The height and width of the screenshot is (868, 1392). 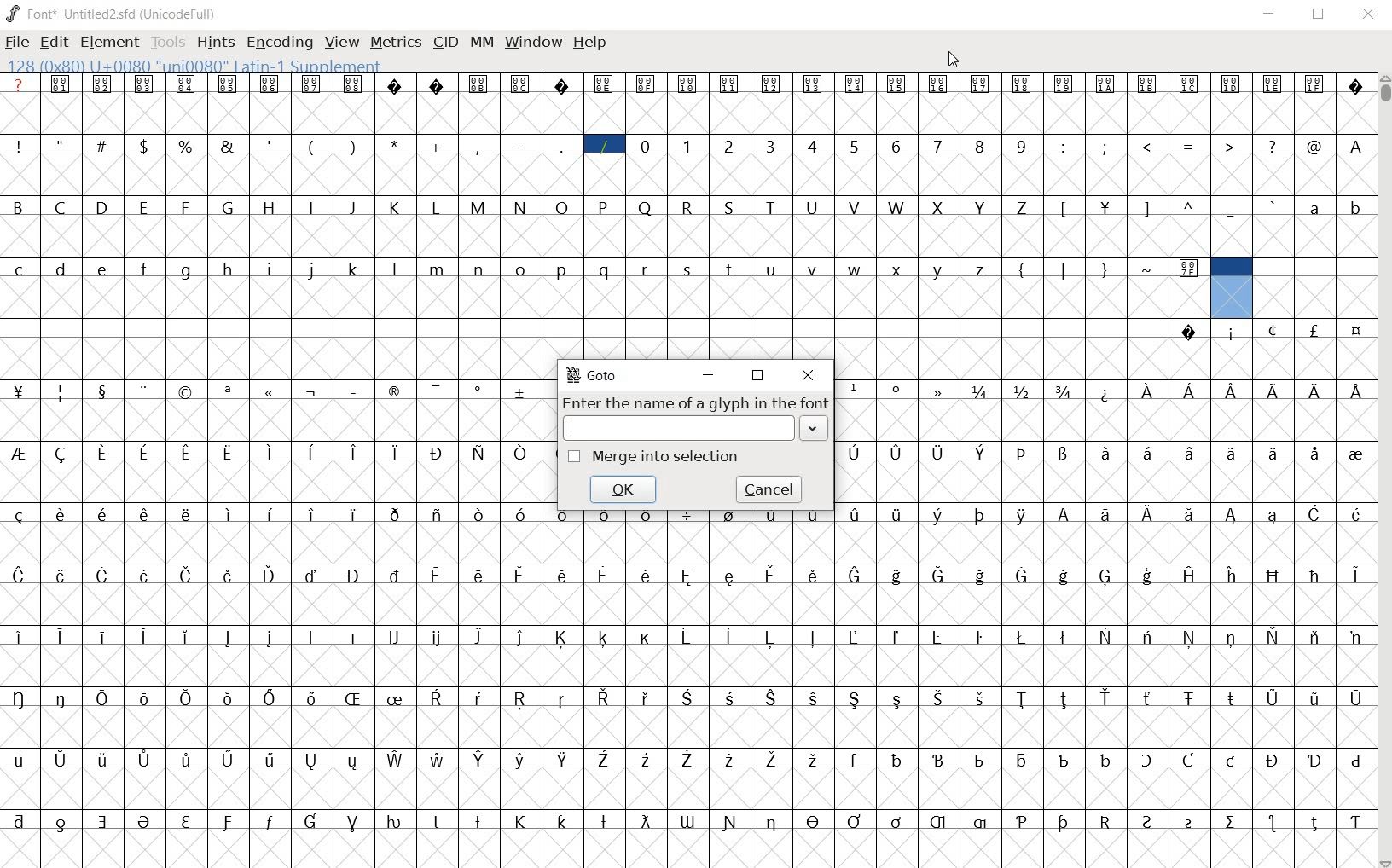 I want to click on Symbol, so click(x=1230, y=698).